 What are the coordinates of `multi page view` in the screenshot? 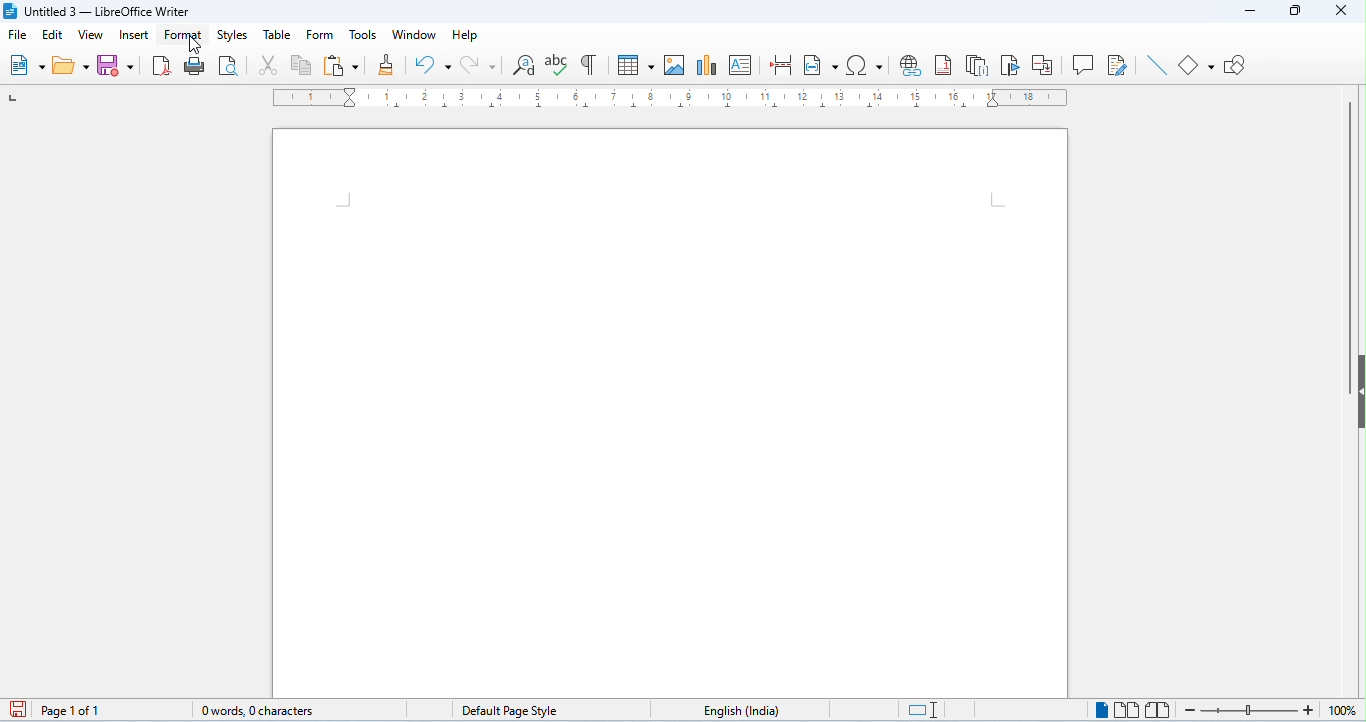 It's located at (1130, 710).